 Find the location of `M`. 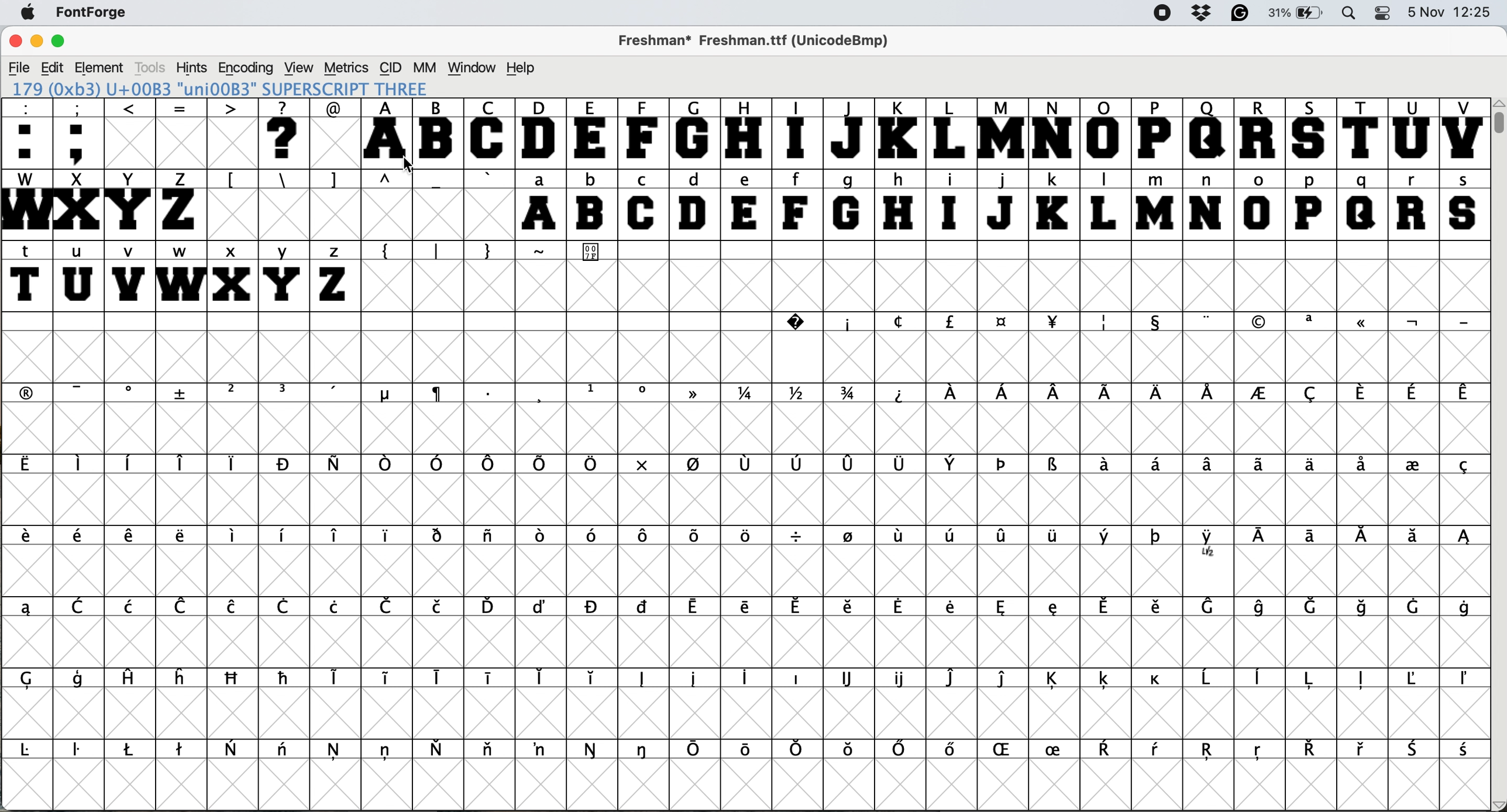

M is located at coordinates (1003, 133).